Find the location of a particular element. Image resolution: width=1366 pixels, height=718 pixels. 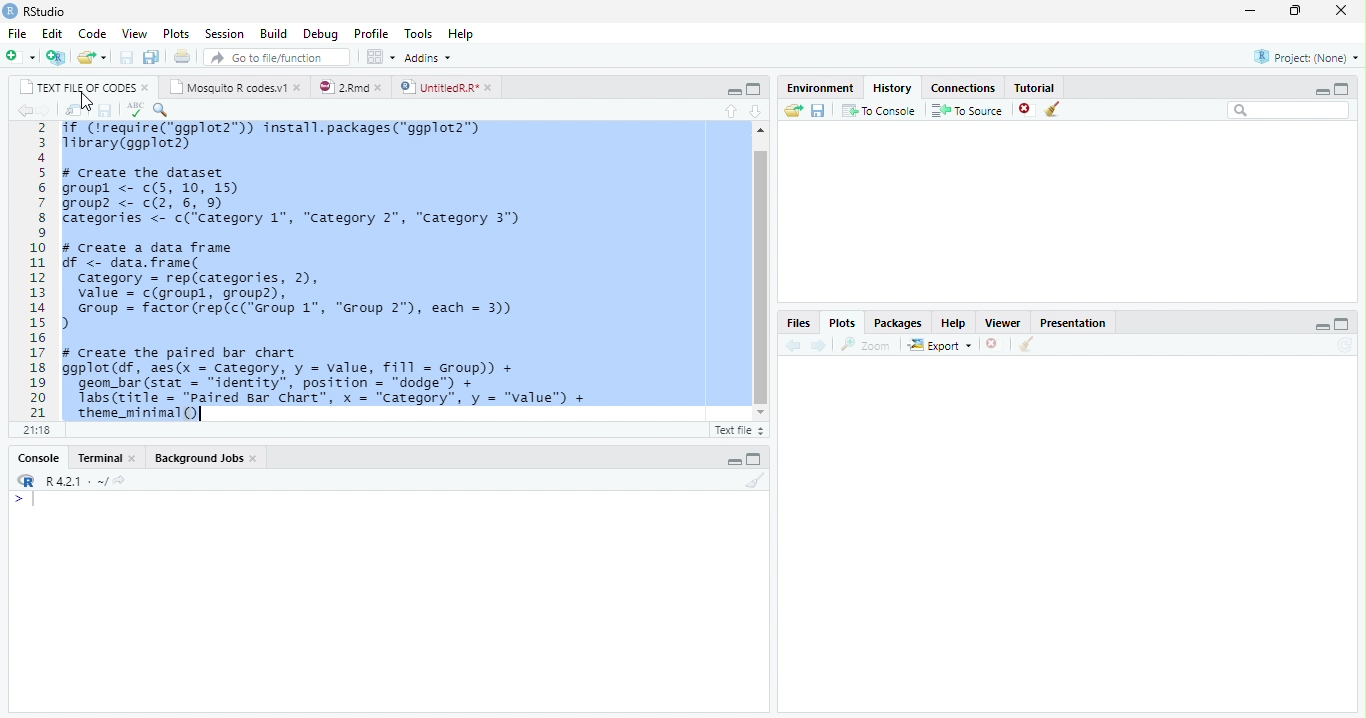

background jobs is located at coordinates (198, 457).